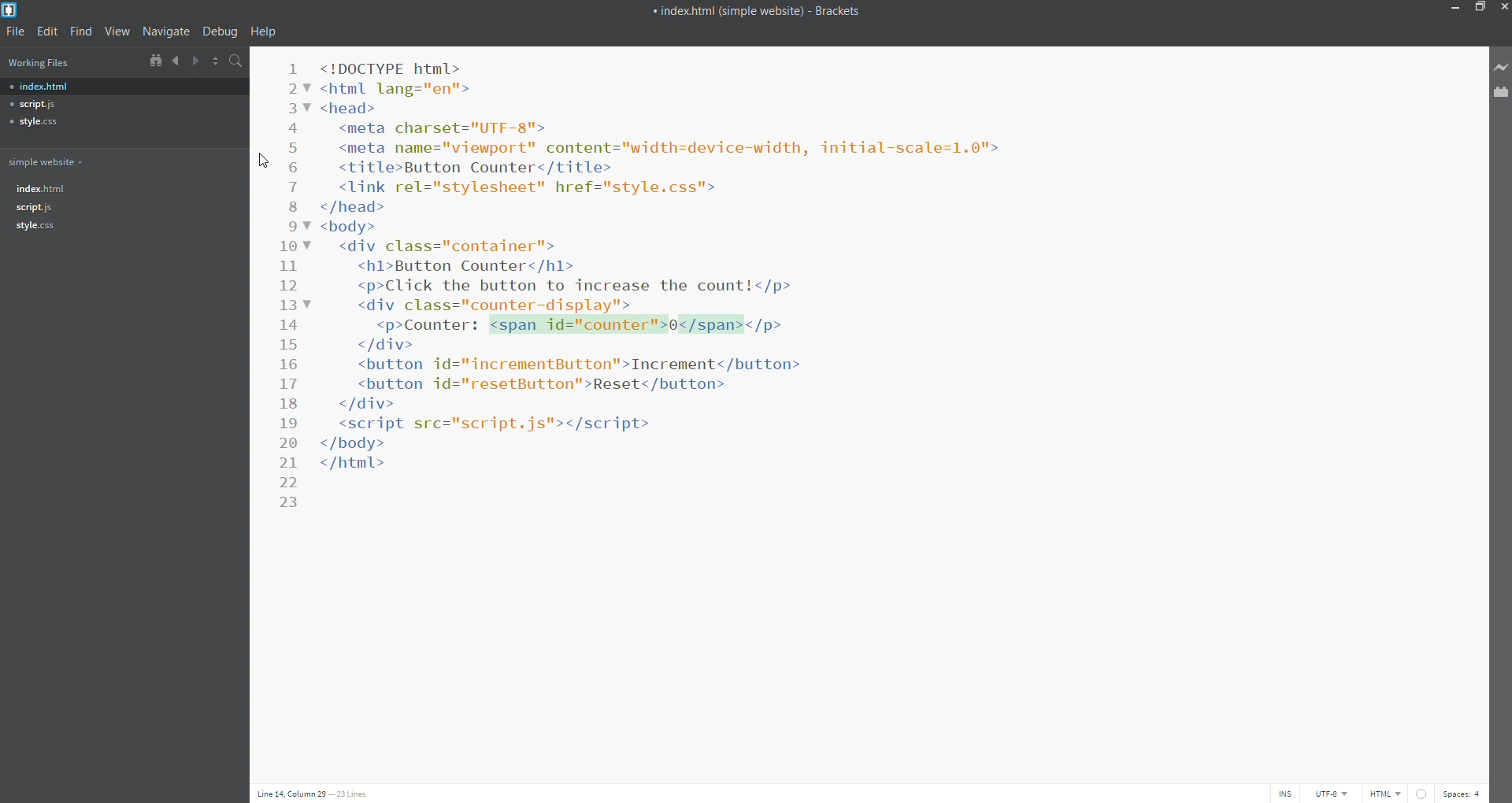 This screenshot has width=1512, height=803. I want to click on live preview, so click(1503, 65).